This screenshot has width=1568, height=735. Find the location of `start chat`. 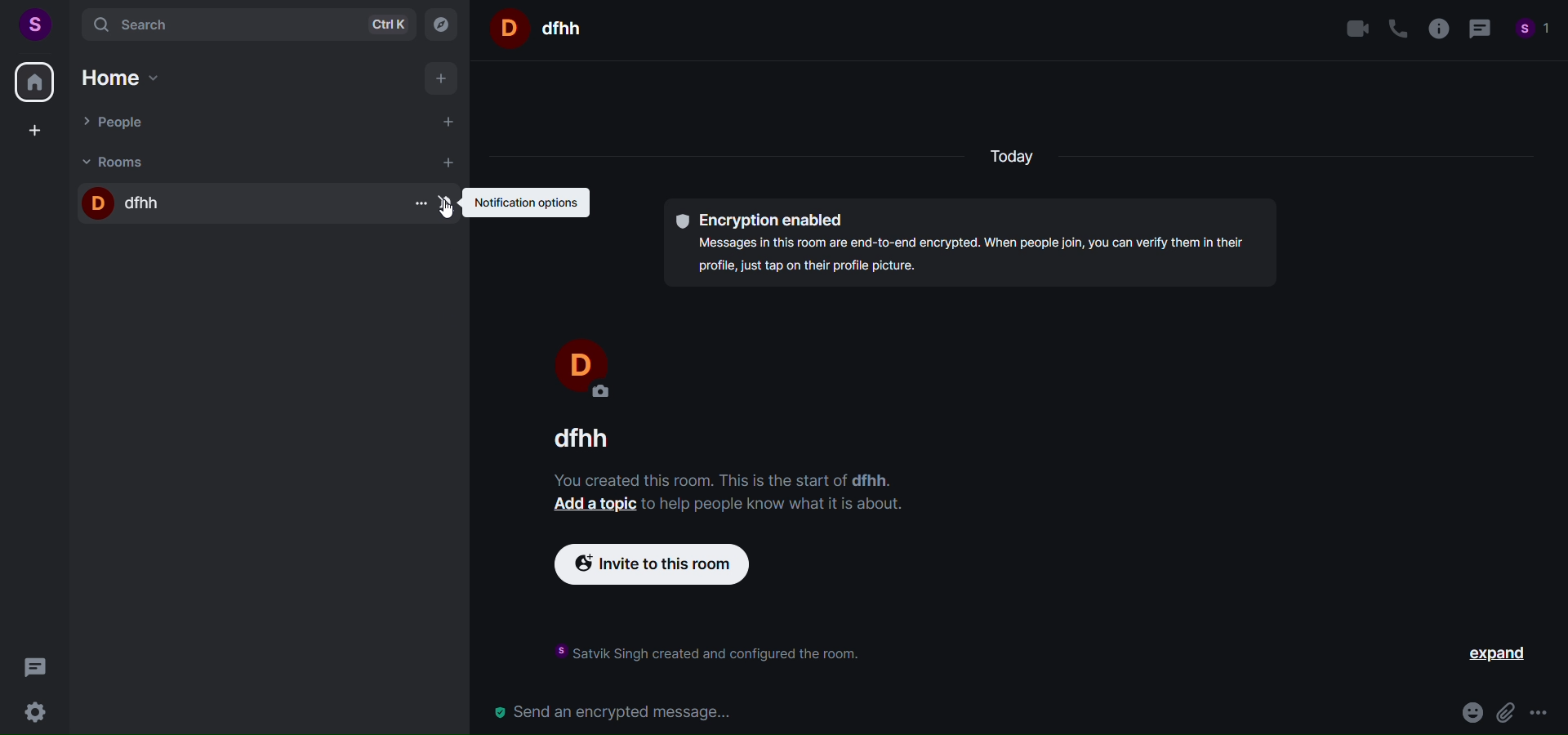

start chat is located at coordinates (452, 122).